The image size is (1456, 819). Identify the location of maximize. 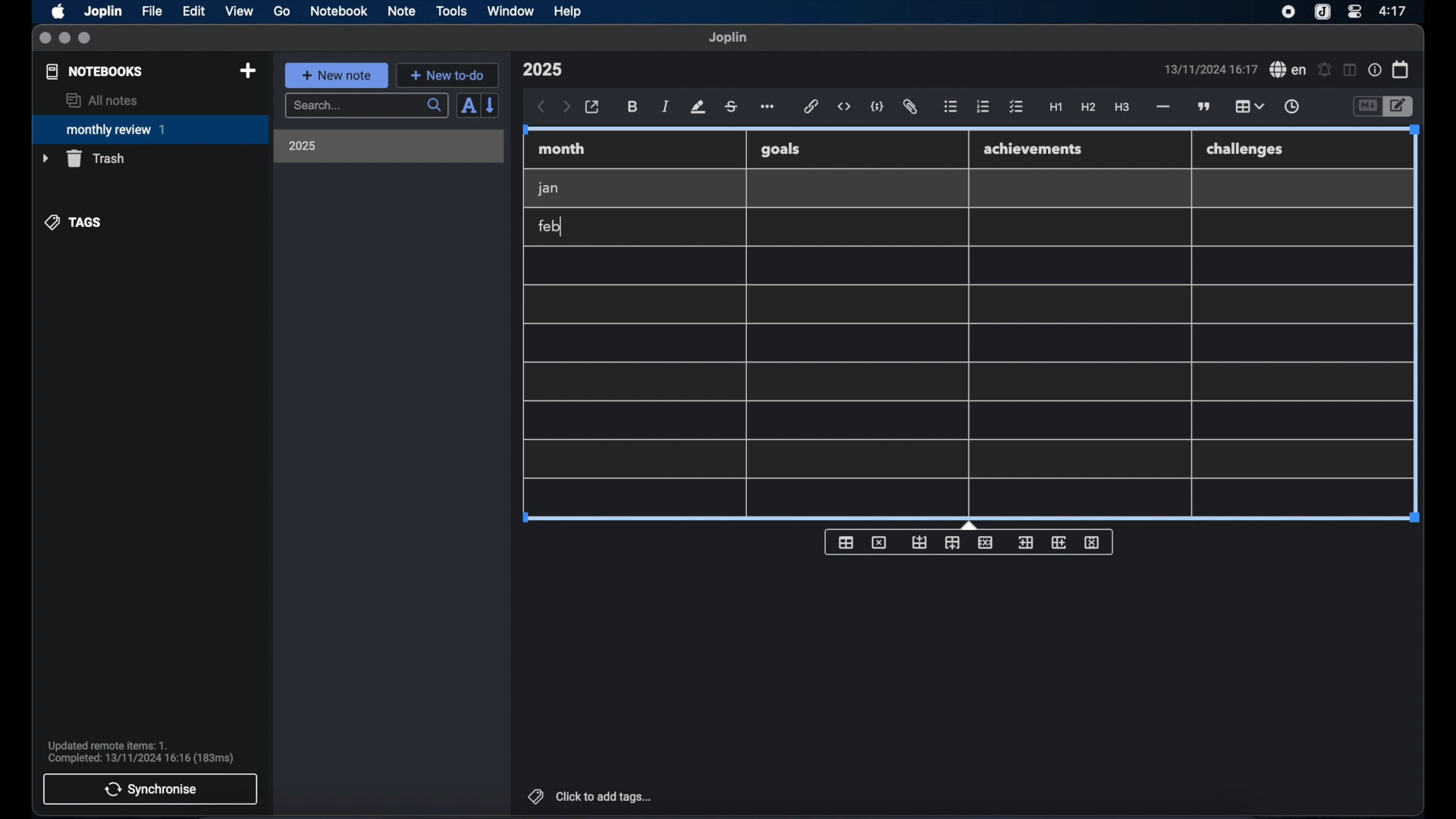
(86, 39).